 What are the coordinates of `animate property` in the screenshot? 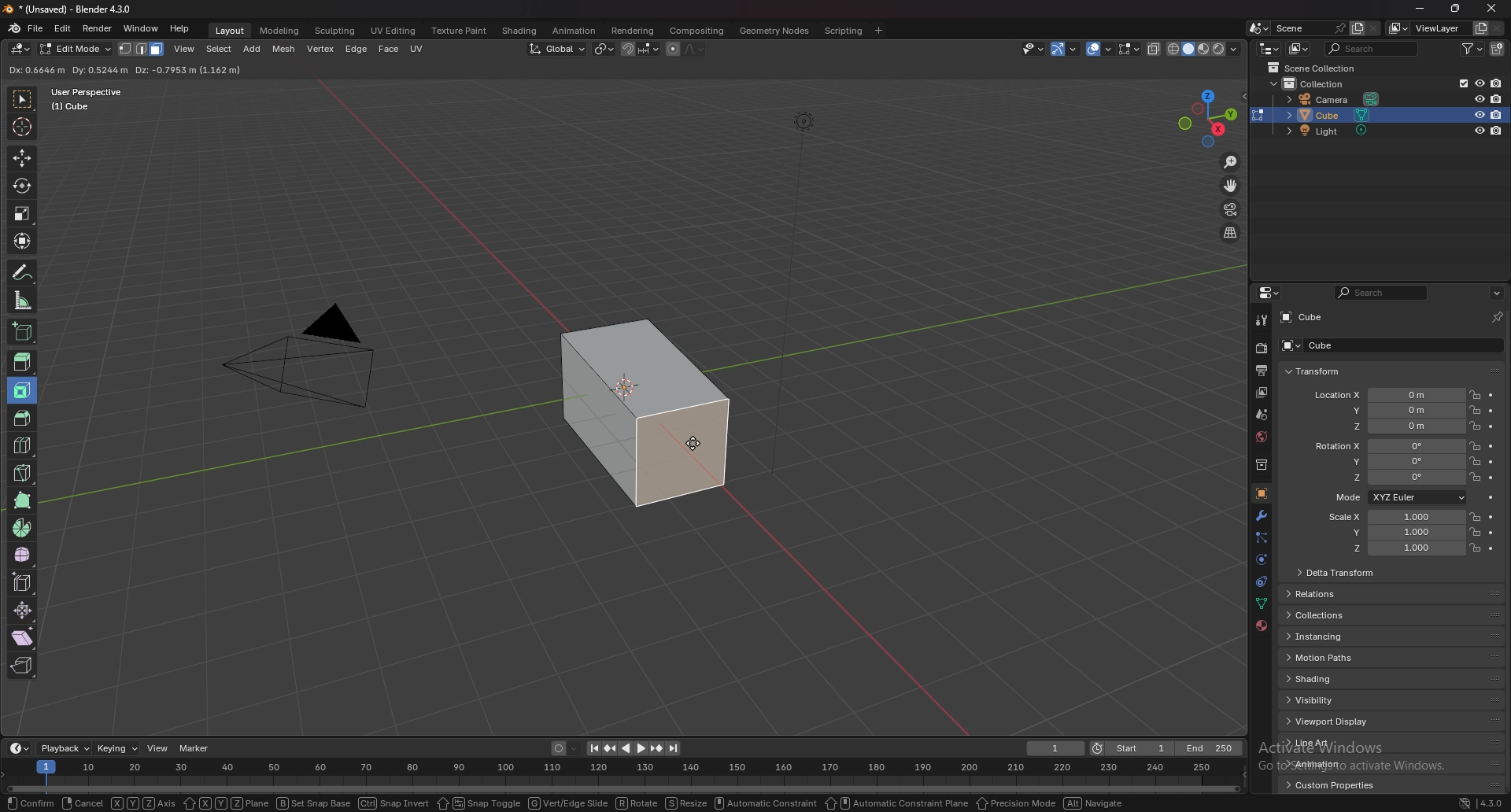 It's located at (1491, 447).